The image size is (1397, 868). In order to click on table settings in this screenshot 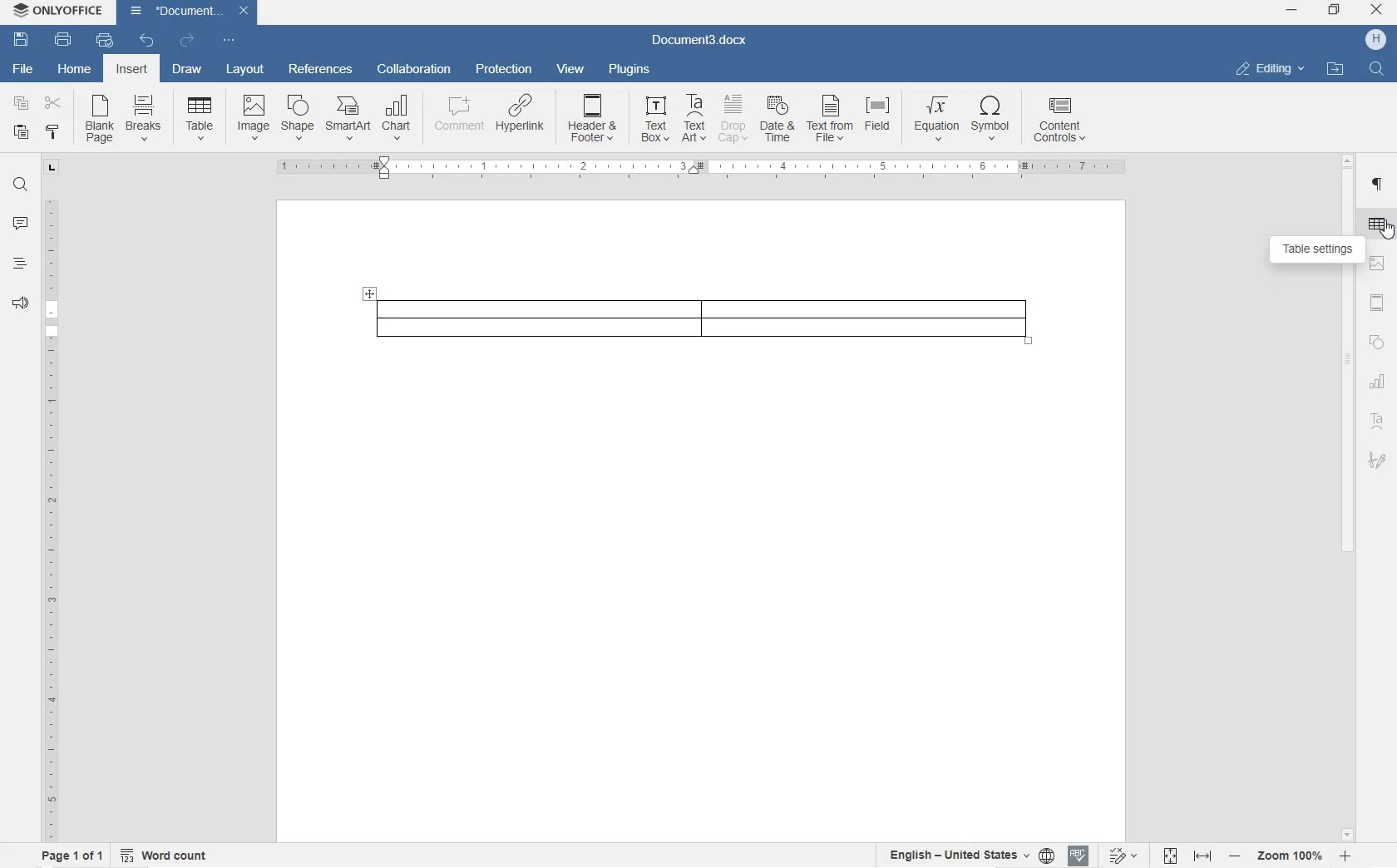, I will do `click(1379, 226)`.